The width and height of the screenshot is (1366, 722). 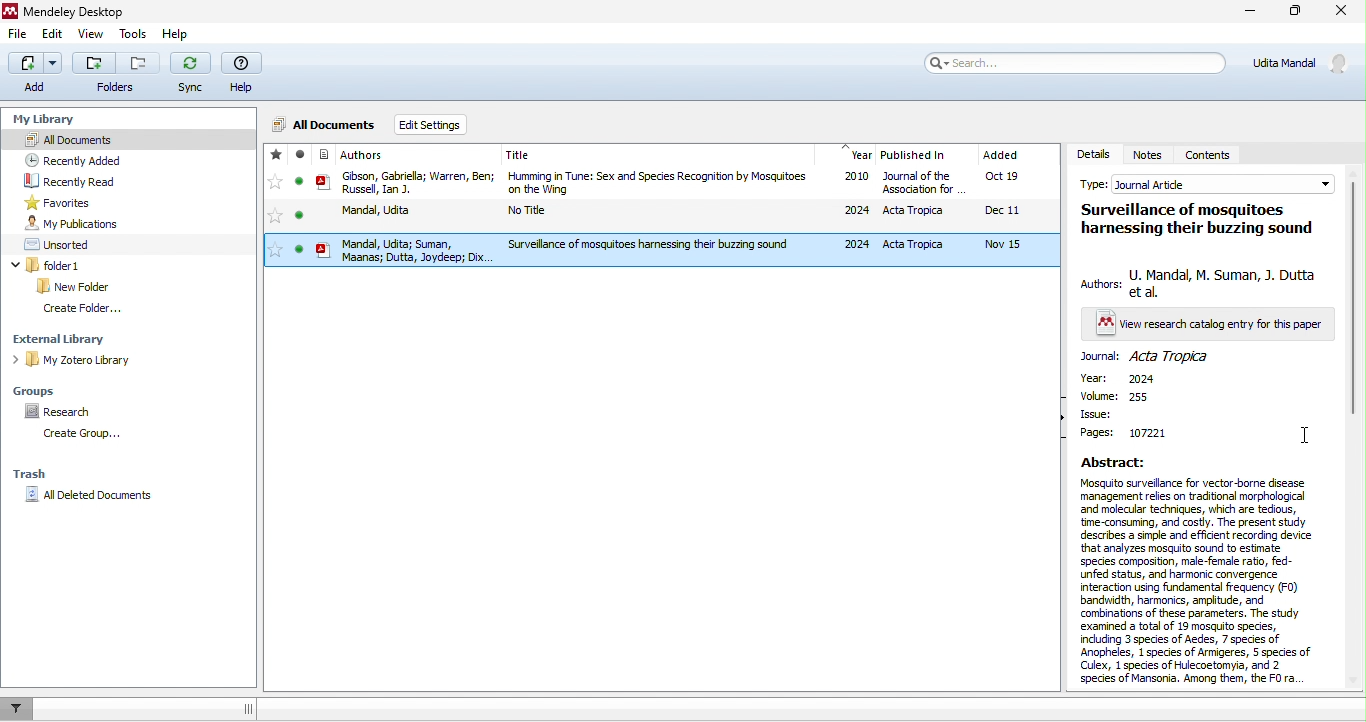 What do you see at coordinates (30, 473) in the screenshot?
I see `trash` at bounding box center [30, 473].